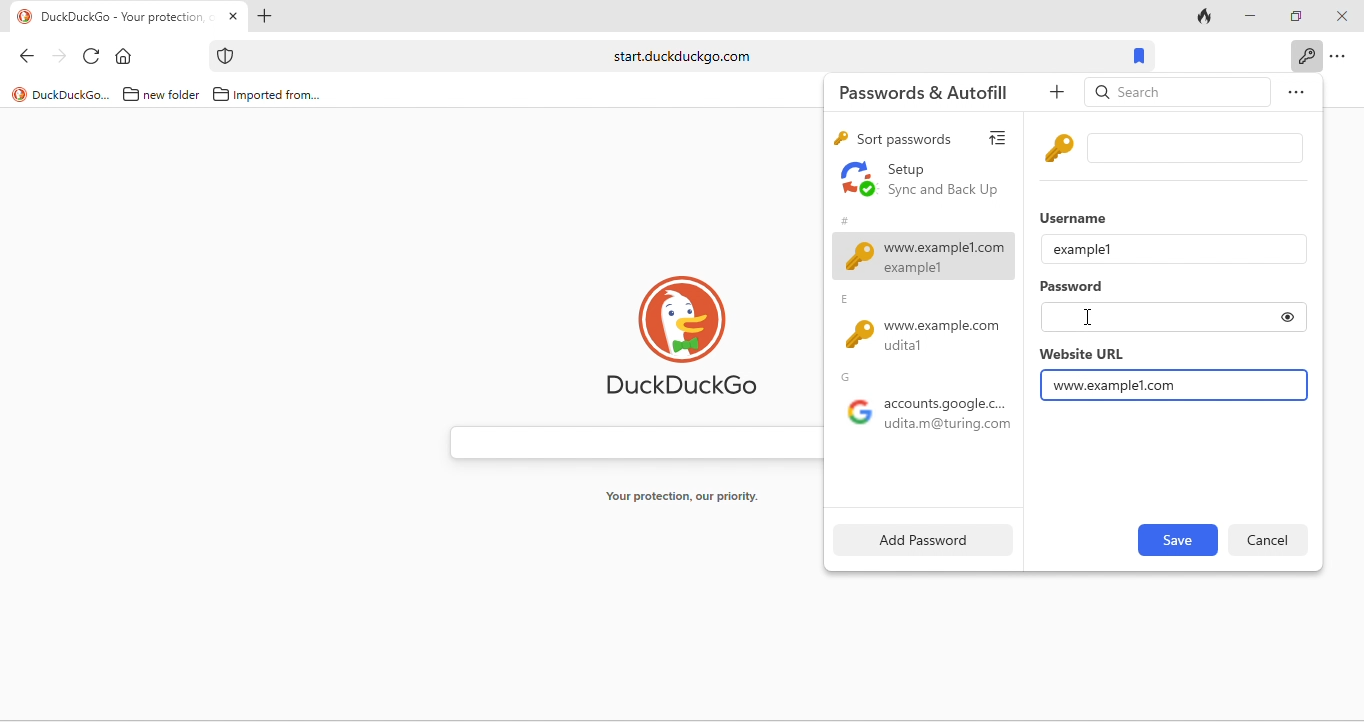  I want to click on new folder, so click(173, 96).